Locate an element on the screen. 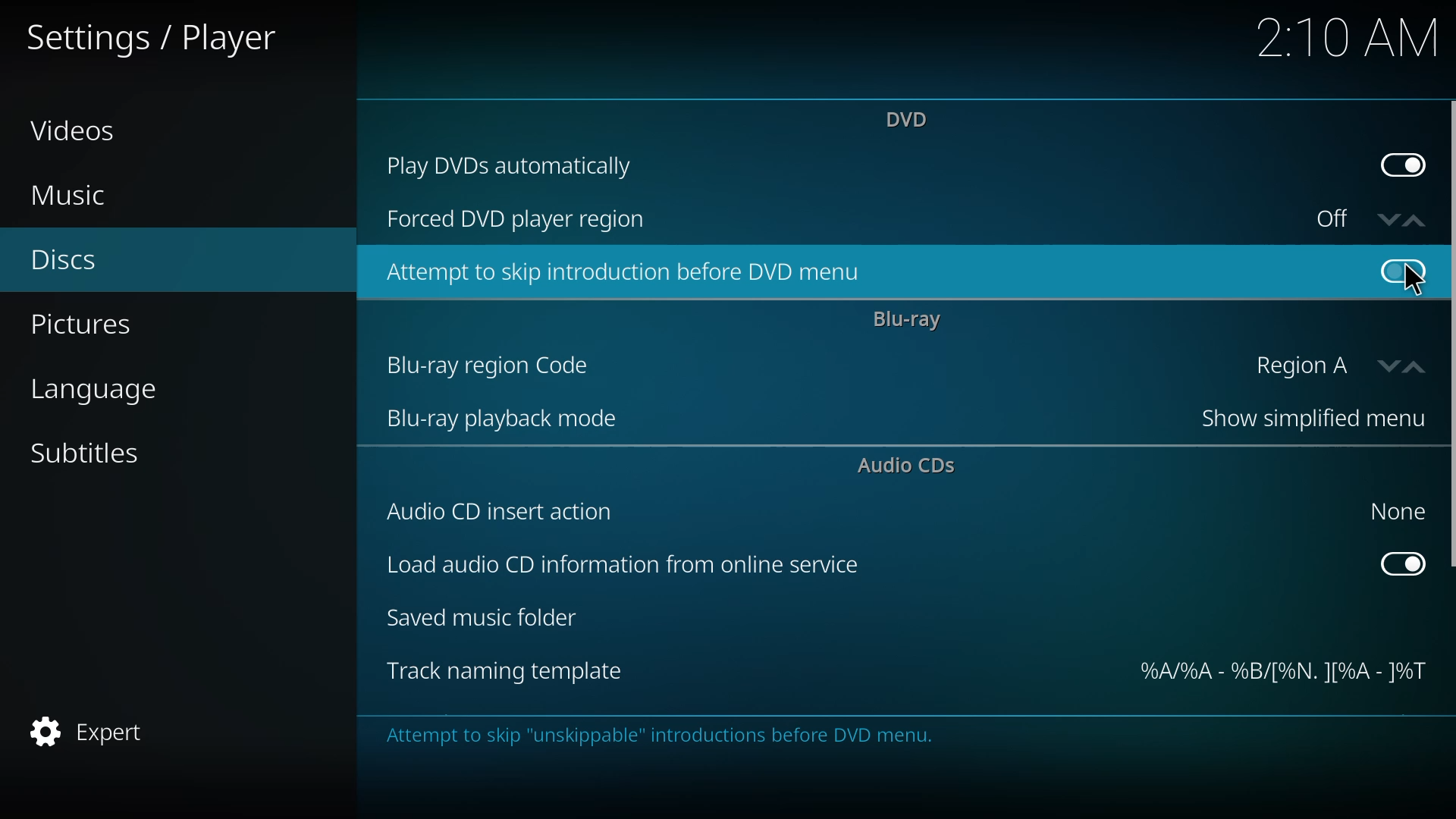 This screenshot has height=819, width=1456. show simplified menu is located at coordinates (1304, 416).